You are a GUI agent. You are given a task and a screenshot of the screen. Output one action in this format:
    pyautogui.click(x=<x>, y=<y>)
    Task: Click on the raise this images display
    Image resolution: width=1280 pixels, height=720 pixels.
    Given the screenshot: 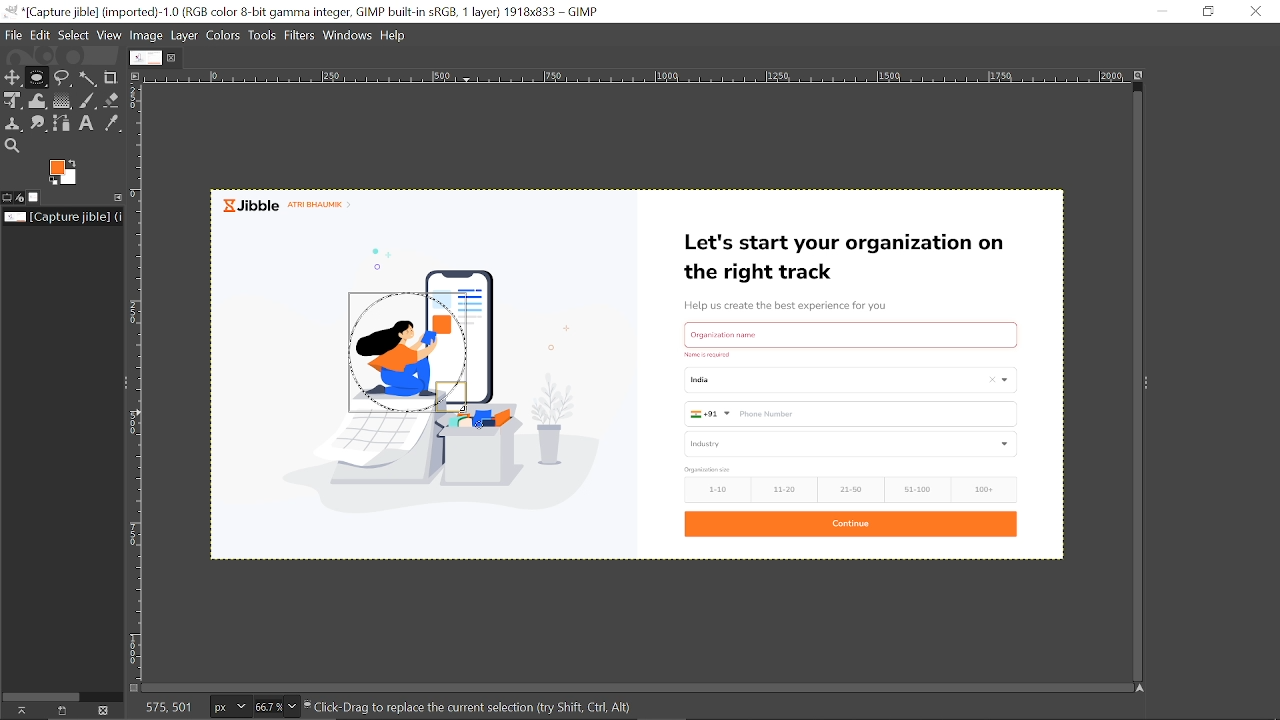 What is the action you would take?
    pyautogui.click(x=18, y=711)
    